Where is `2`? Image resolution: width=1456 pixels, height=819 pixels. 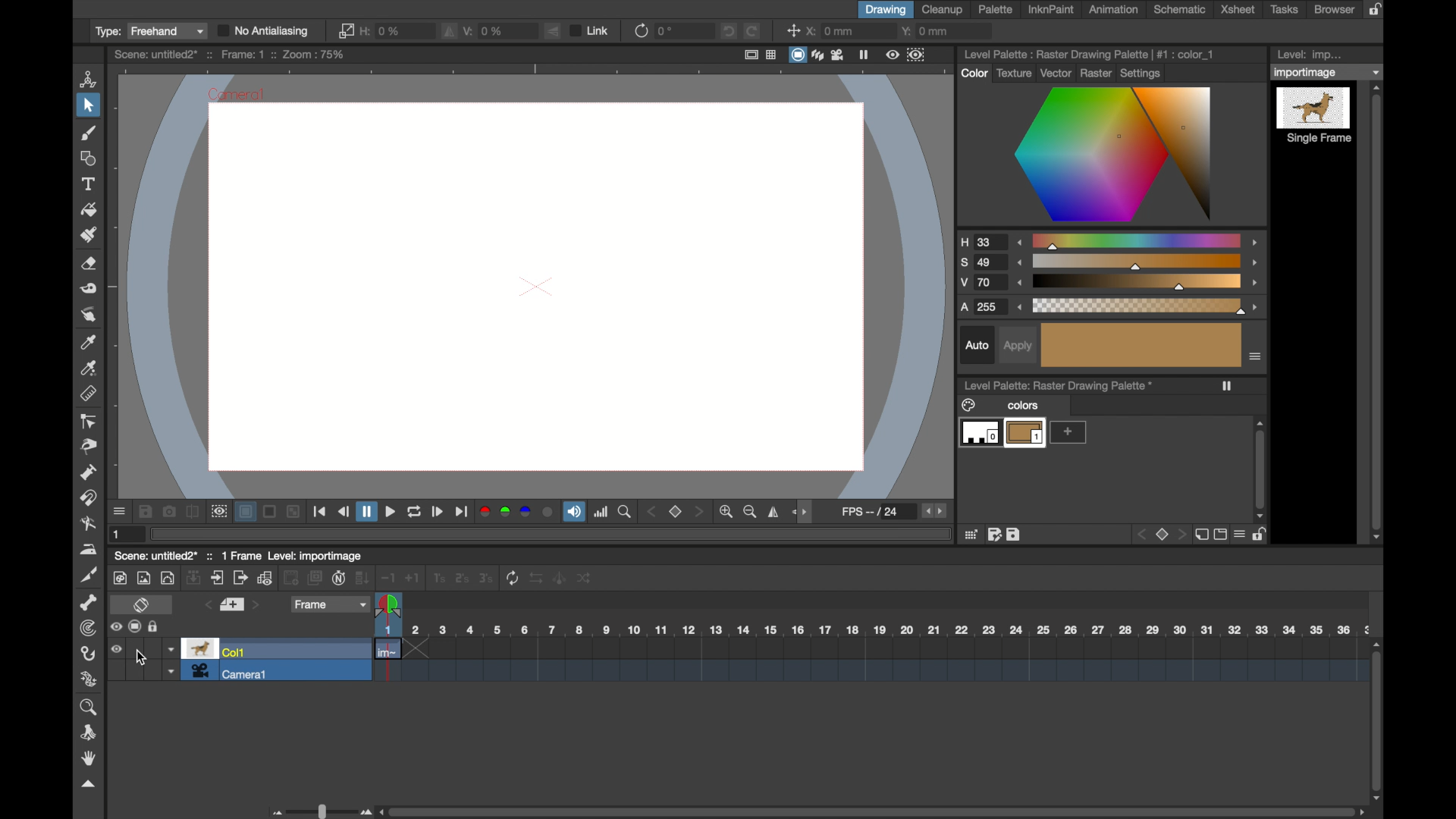
2 is located at coordinates (460, 579).